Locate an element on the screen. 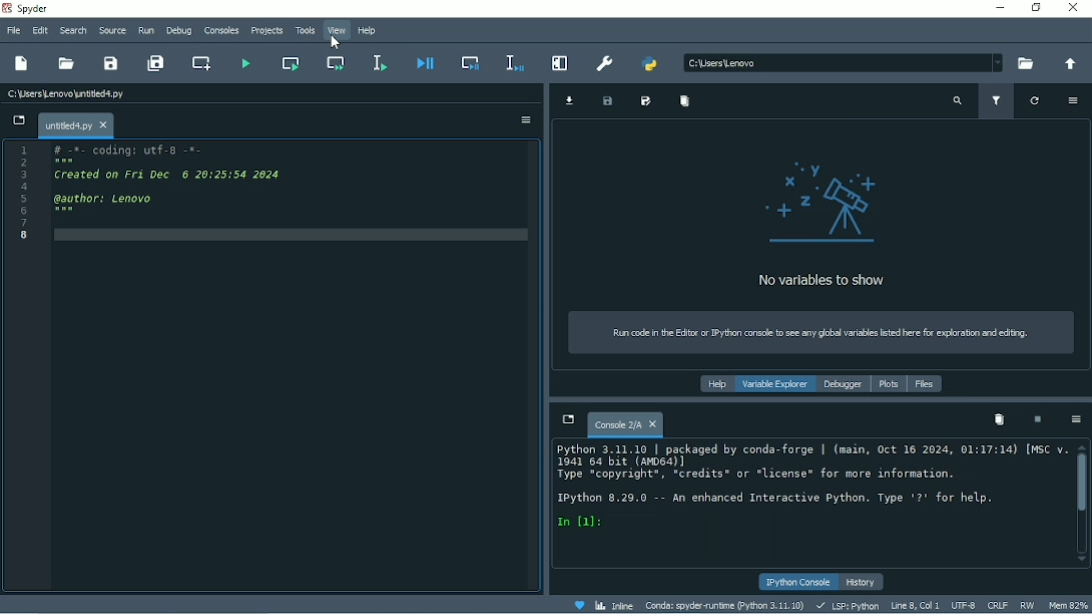 The height and width of the screenshot is (614, 1092). Files is located at coordinates (925, 384).